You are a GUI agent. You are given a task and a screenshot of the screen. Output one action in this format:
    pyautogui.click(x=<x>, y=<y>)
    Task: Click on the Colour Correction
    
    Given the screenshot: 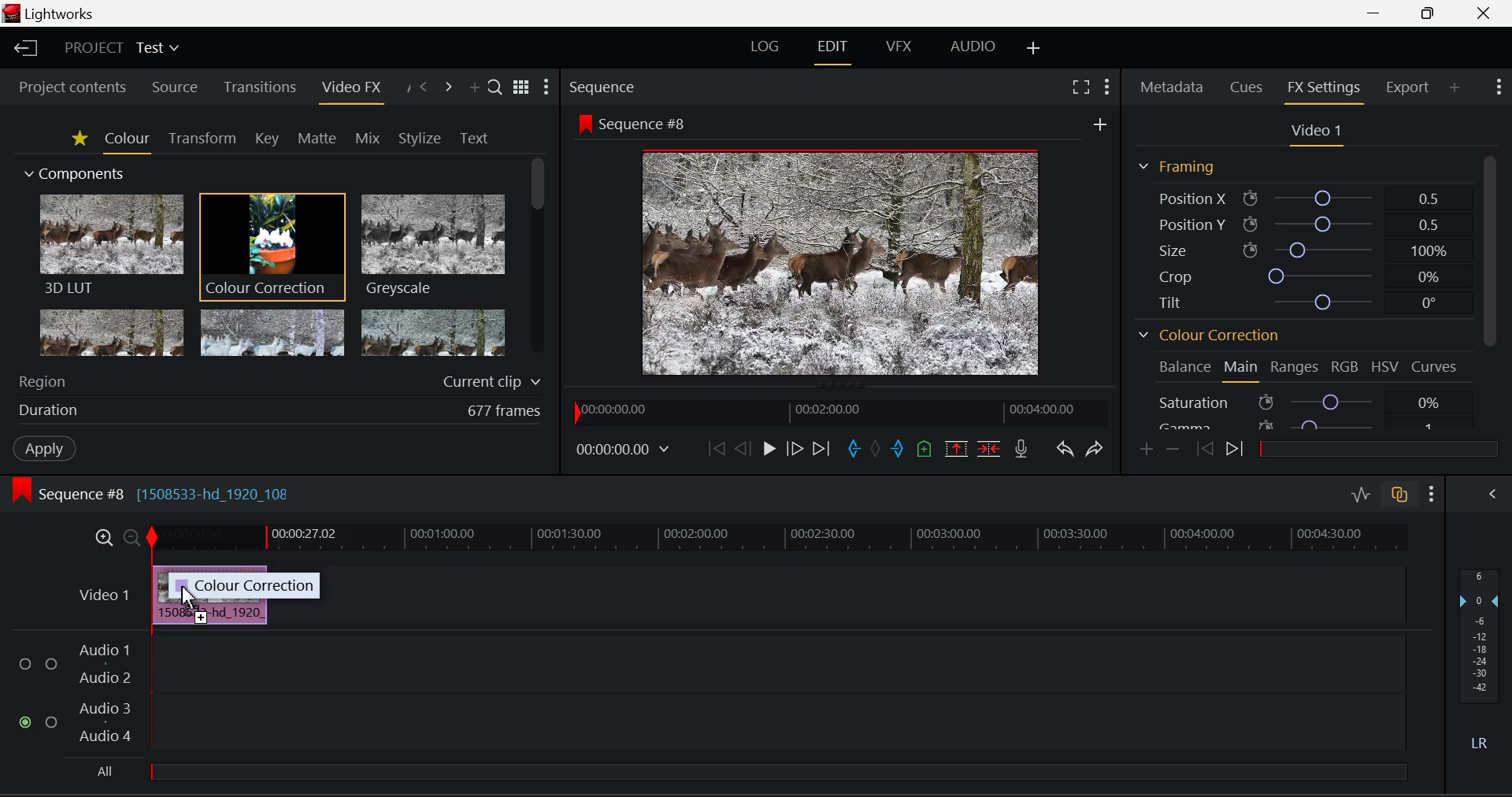 What is the action you would take?
    pyautogui.click(x=1210, y=334)
    